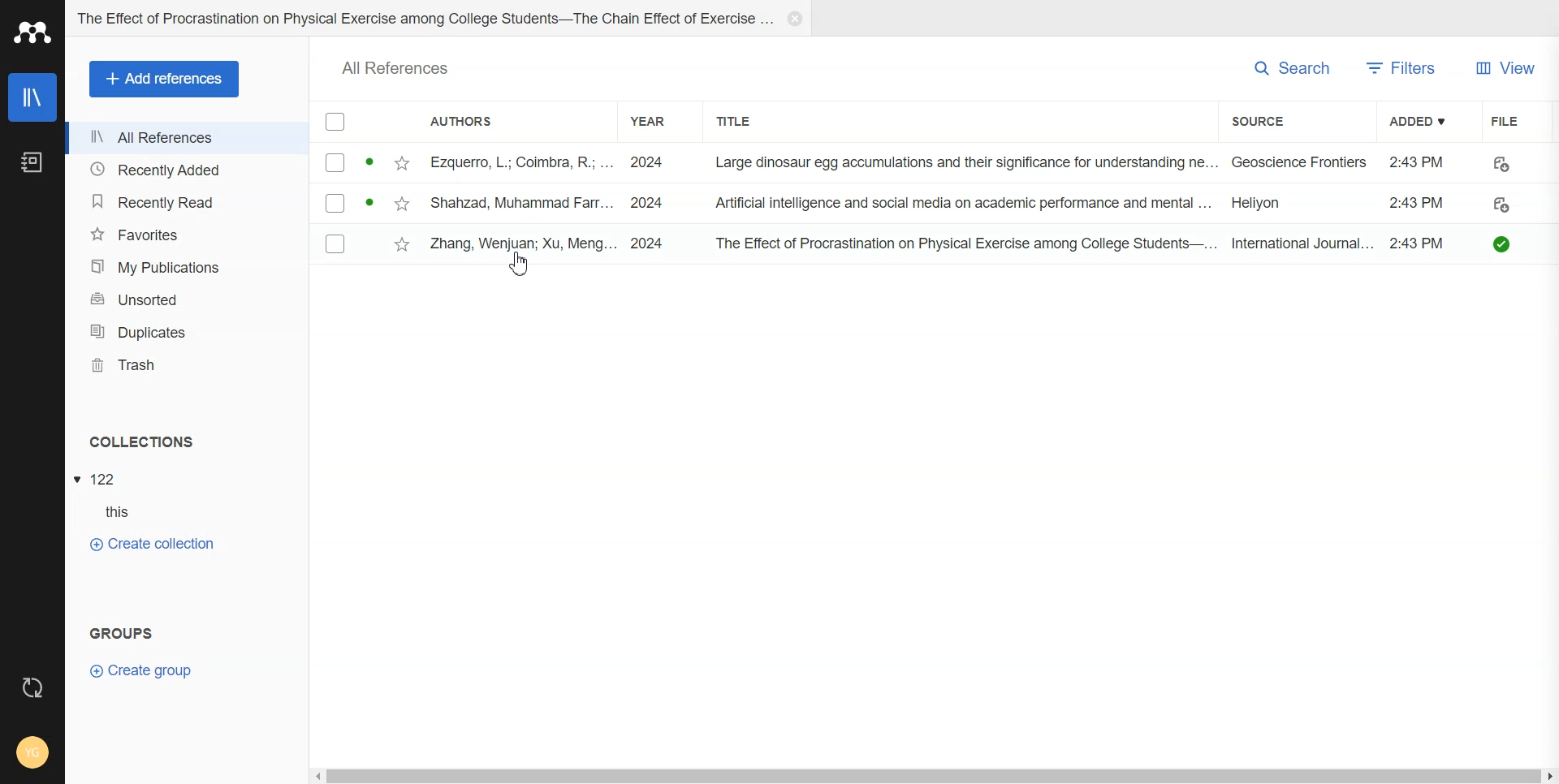 The image size is (1559, 784). I want to click on Saved, so click(1505, 244).